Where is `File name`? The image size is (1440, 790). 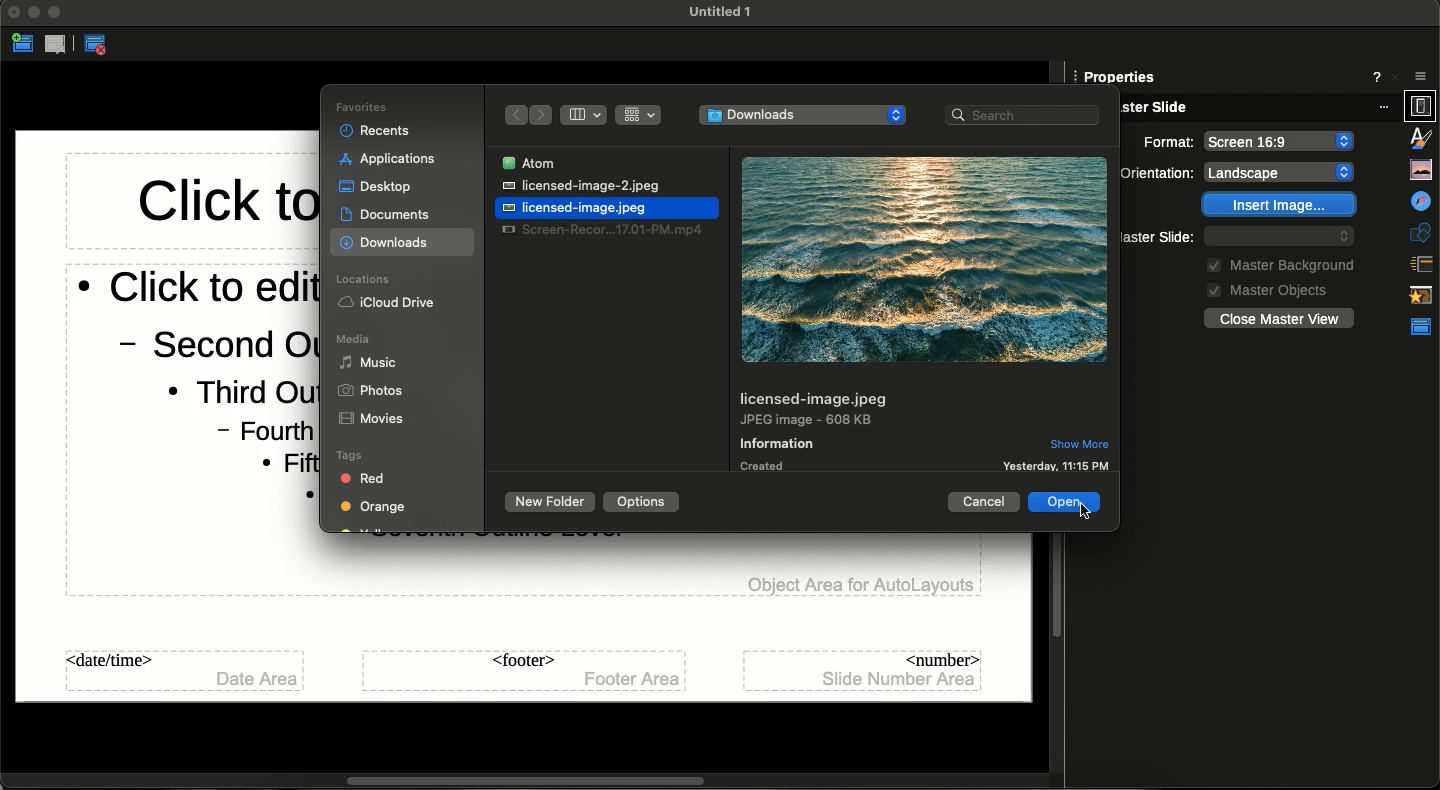 File name is located at coordinates (714, 11).